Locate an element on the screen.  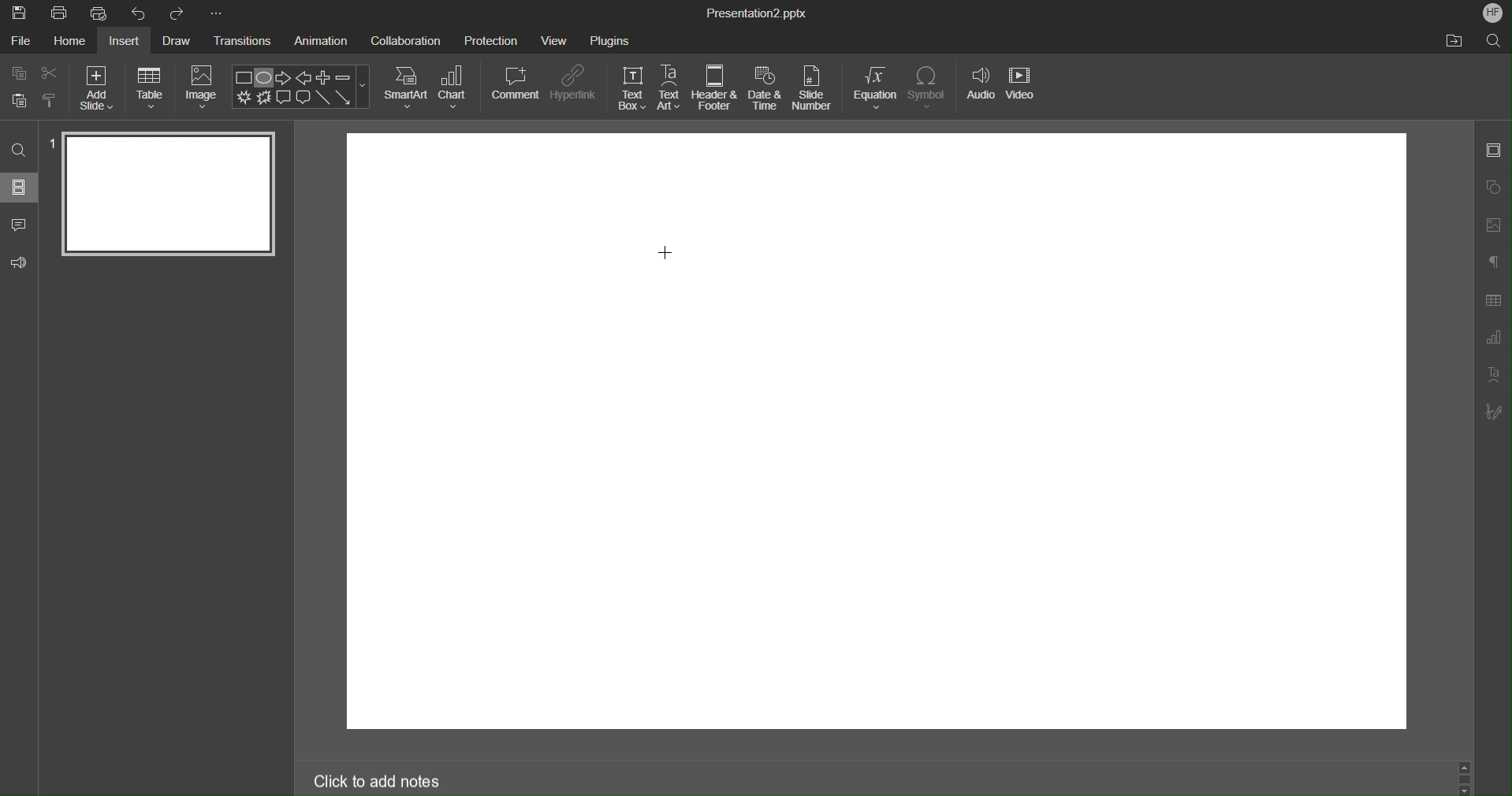
Table is located at coordinates (150, 87).